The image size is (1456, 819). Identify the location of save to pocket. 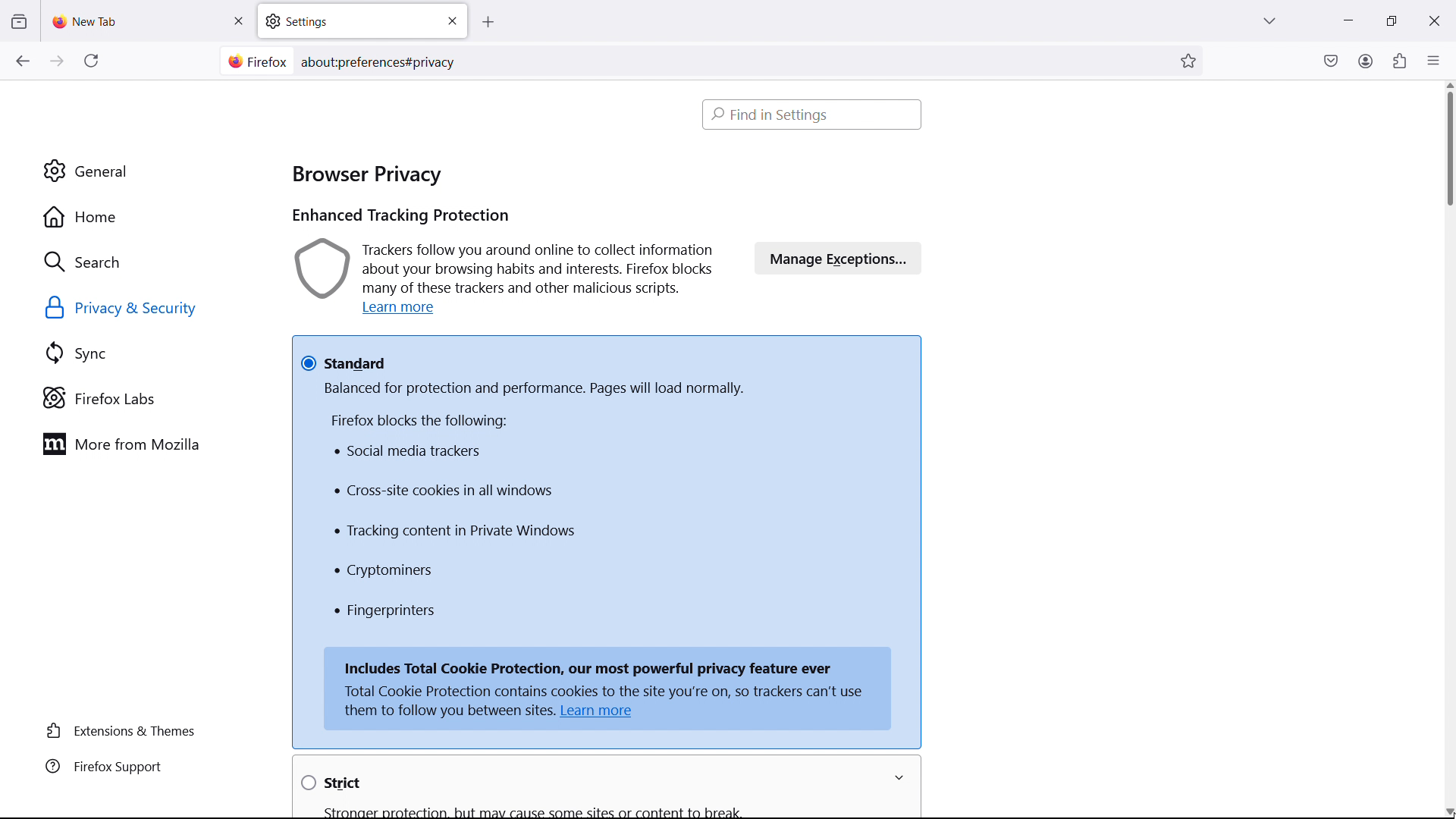
(1331, 60).